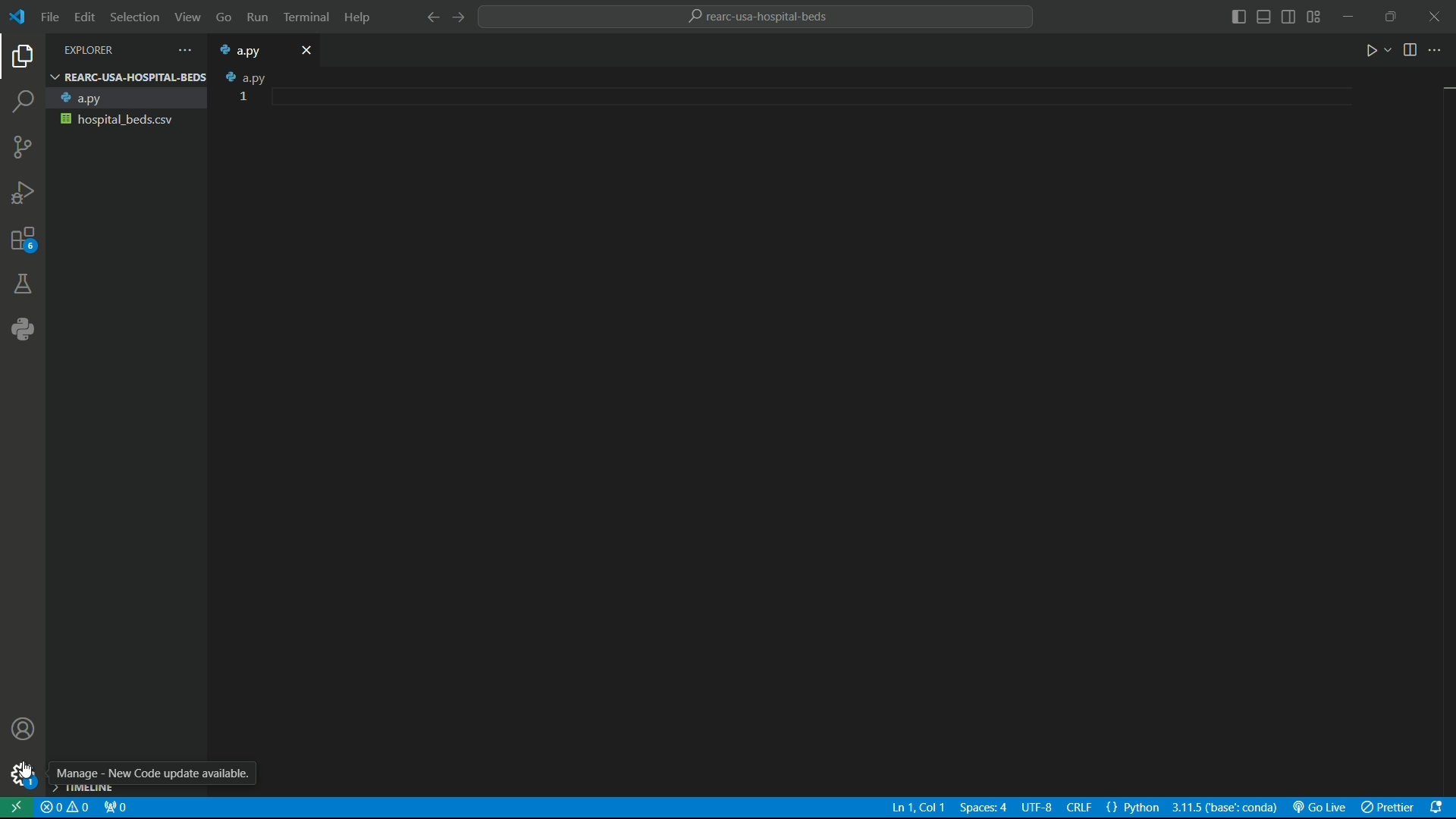 This screenshot has width=1456, height=819. I want to click on problem or error, so click(66, 808).